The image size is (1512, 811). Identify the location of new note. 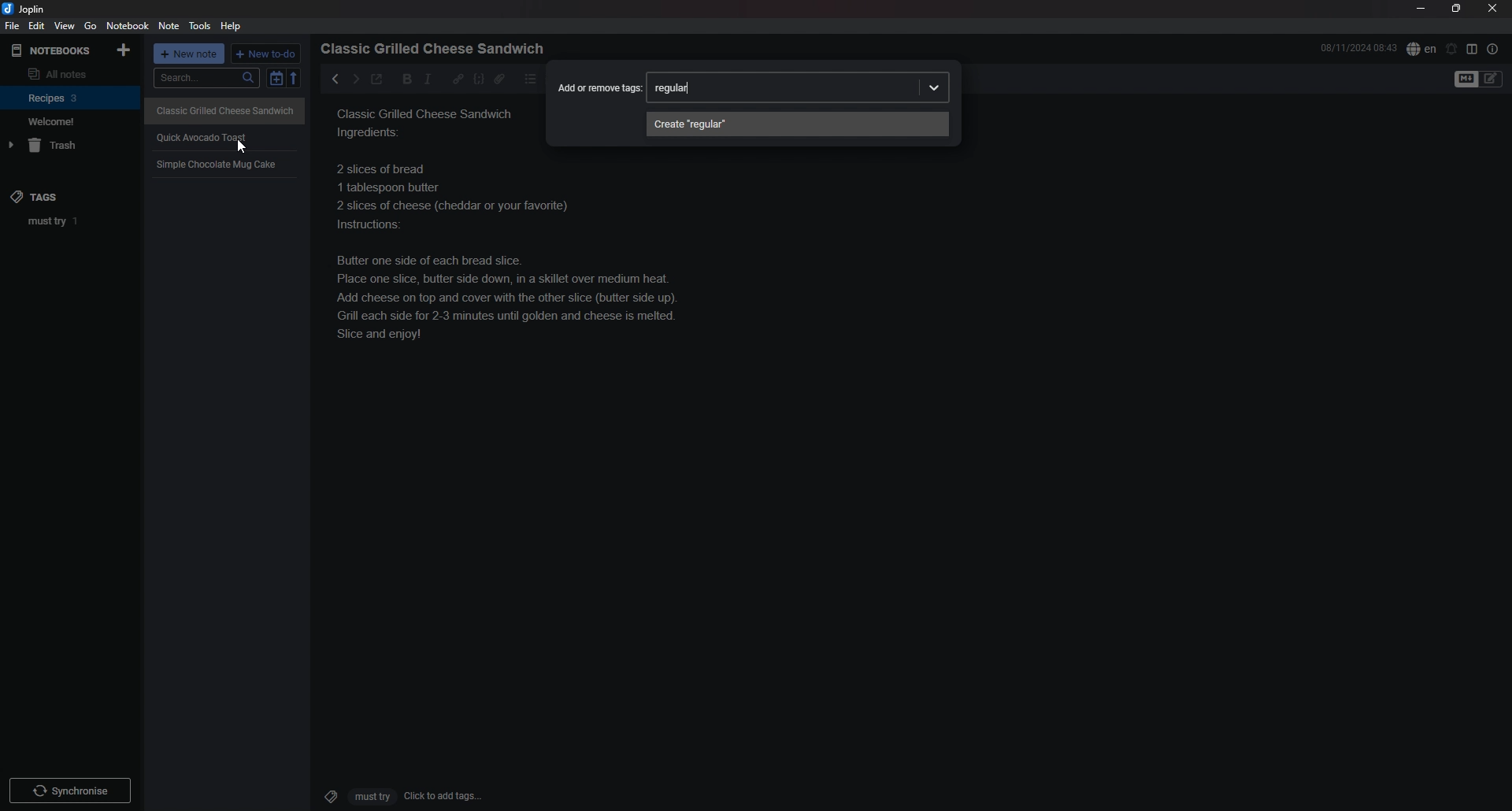
(191, 55).